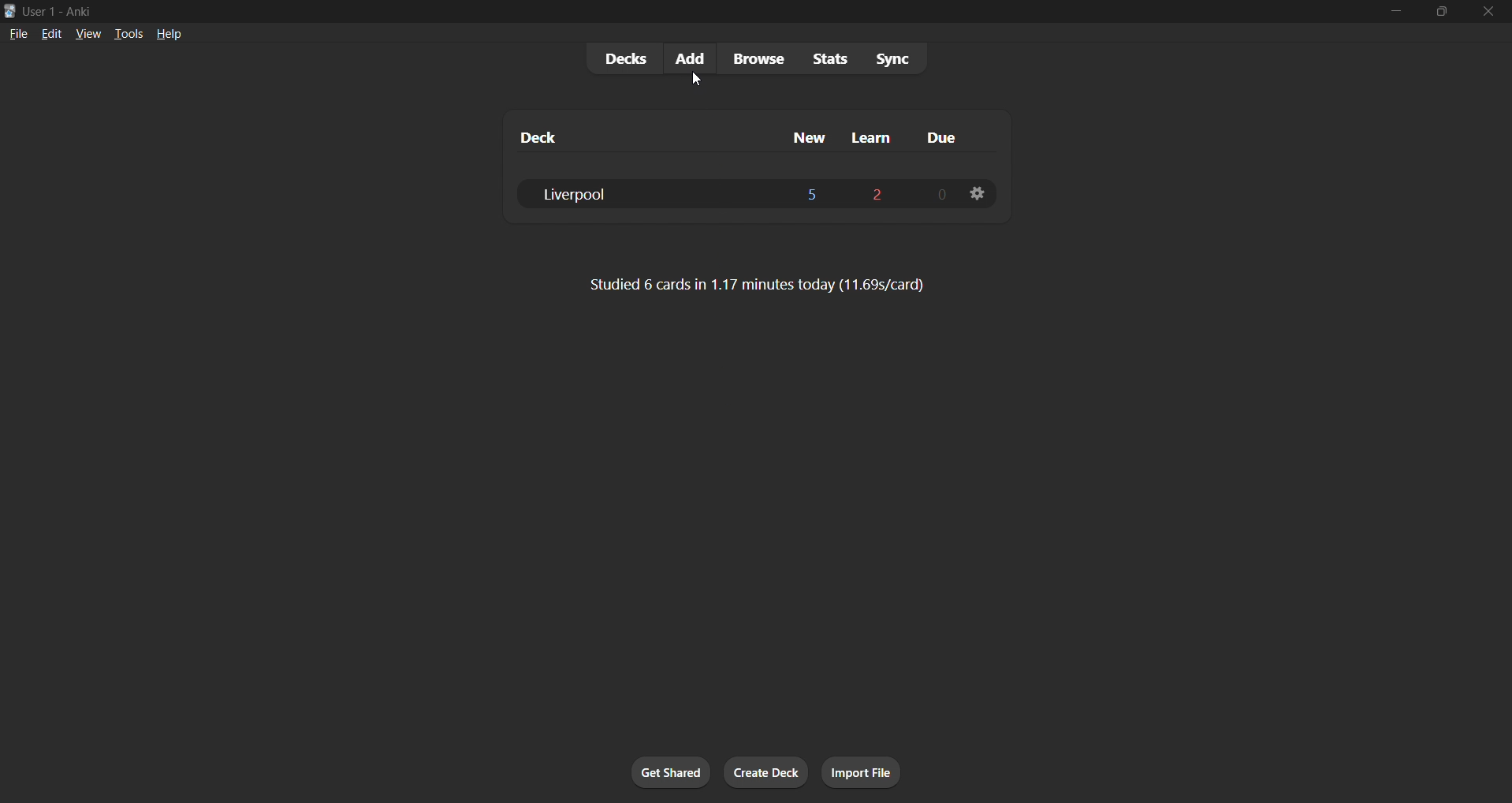  Describe the element at coordinates (694, 80) in the screenshot. I see `cursor` at that location.